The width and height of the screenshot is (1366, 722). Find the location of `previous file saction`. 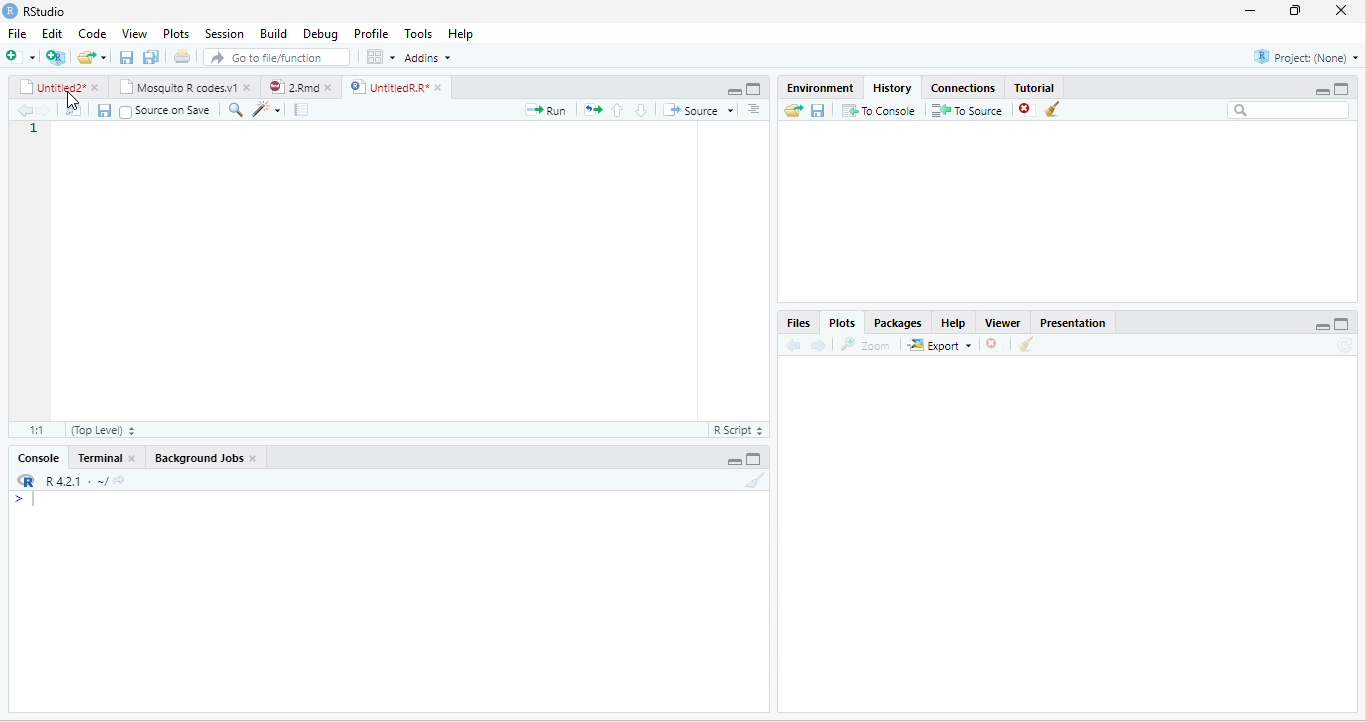

previous file saction is located at coordinates (128, 56).